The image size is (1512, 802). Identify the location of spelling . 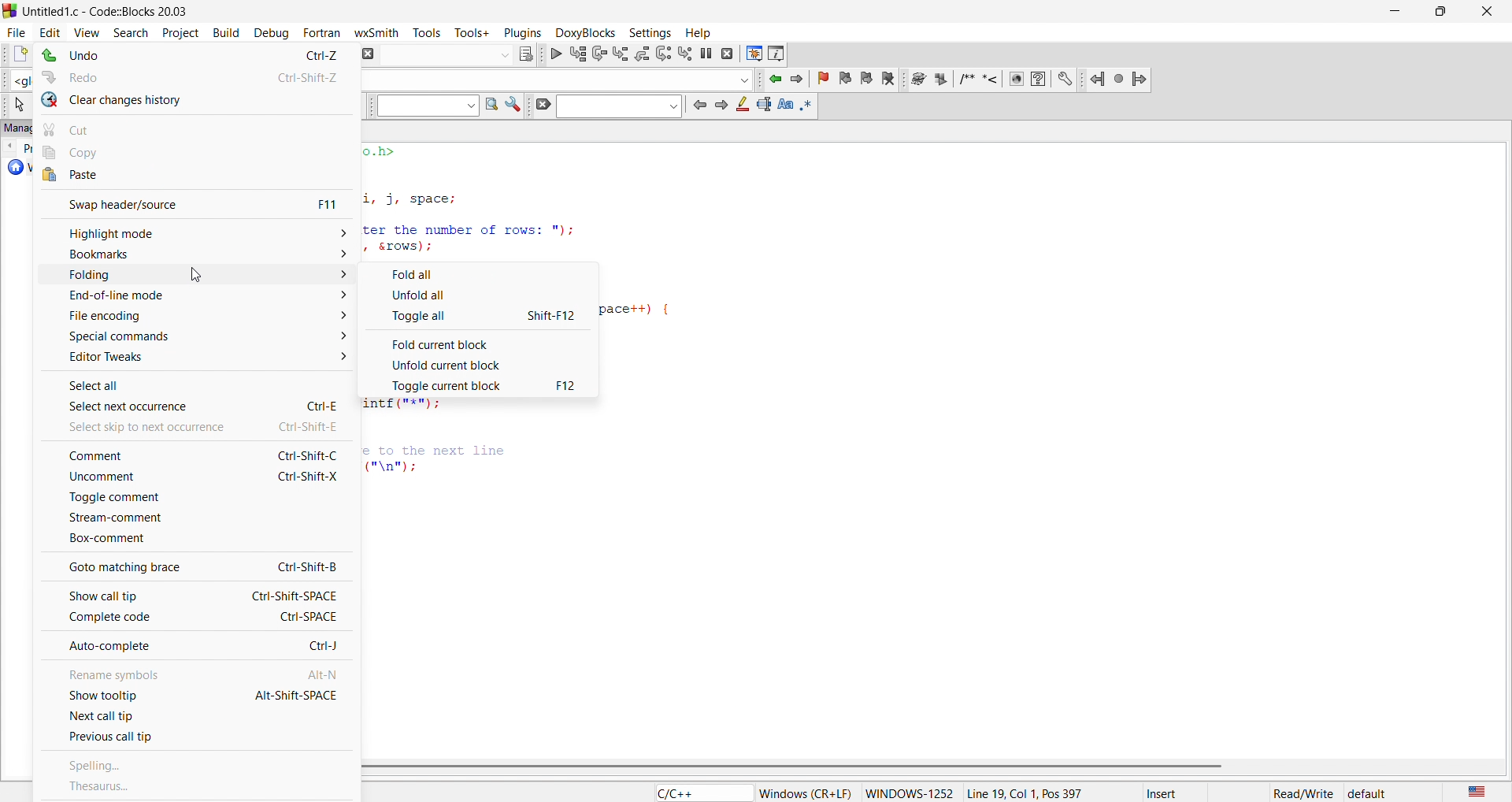
(198, 767).